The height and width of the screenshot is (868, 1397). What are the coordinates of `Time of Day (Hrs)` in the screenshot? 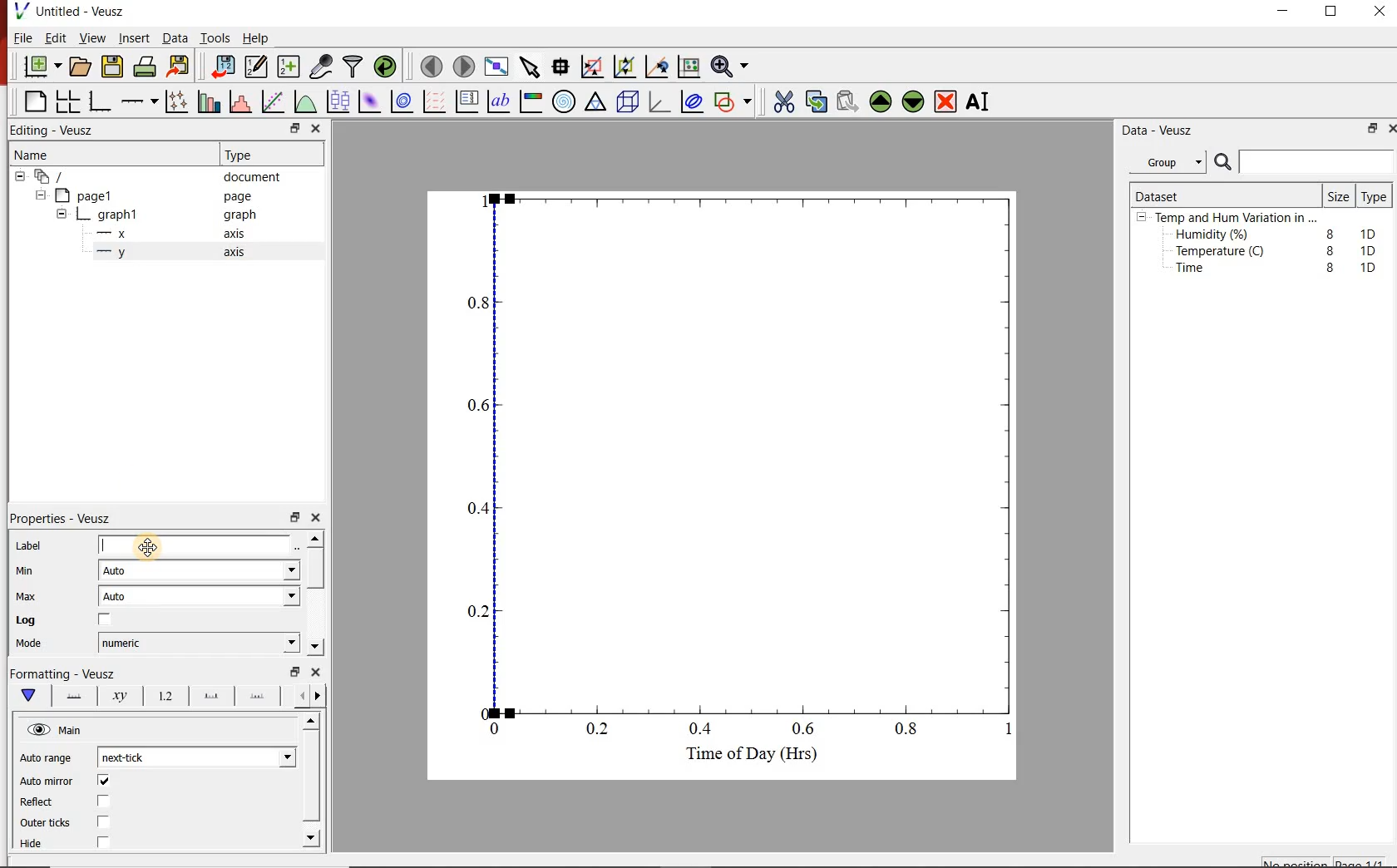 It's located at (745, 758).